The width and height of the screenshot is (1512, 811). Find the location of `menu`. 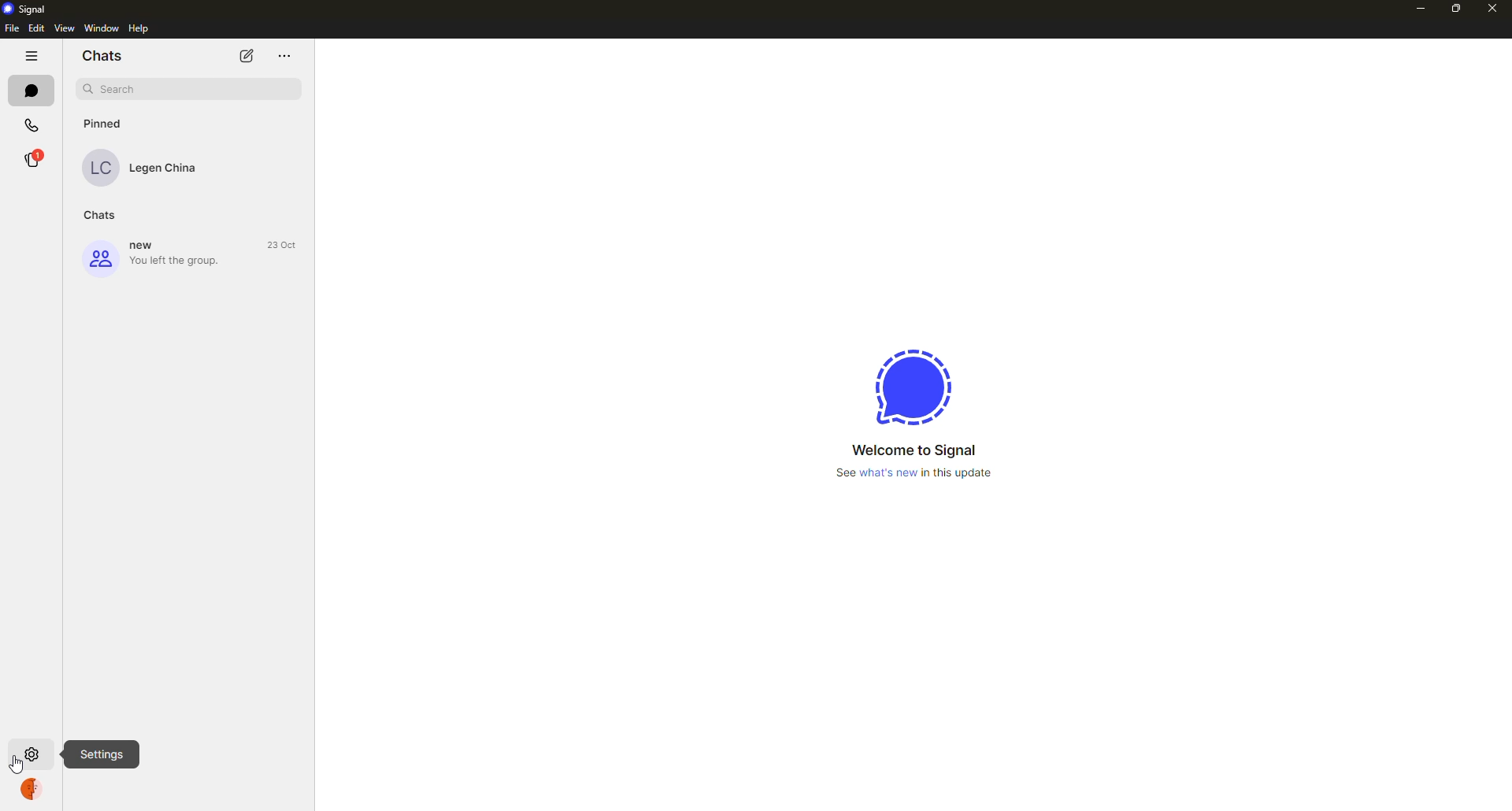

menu is located at coordinates (284, 56).